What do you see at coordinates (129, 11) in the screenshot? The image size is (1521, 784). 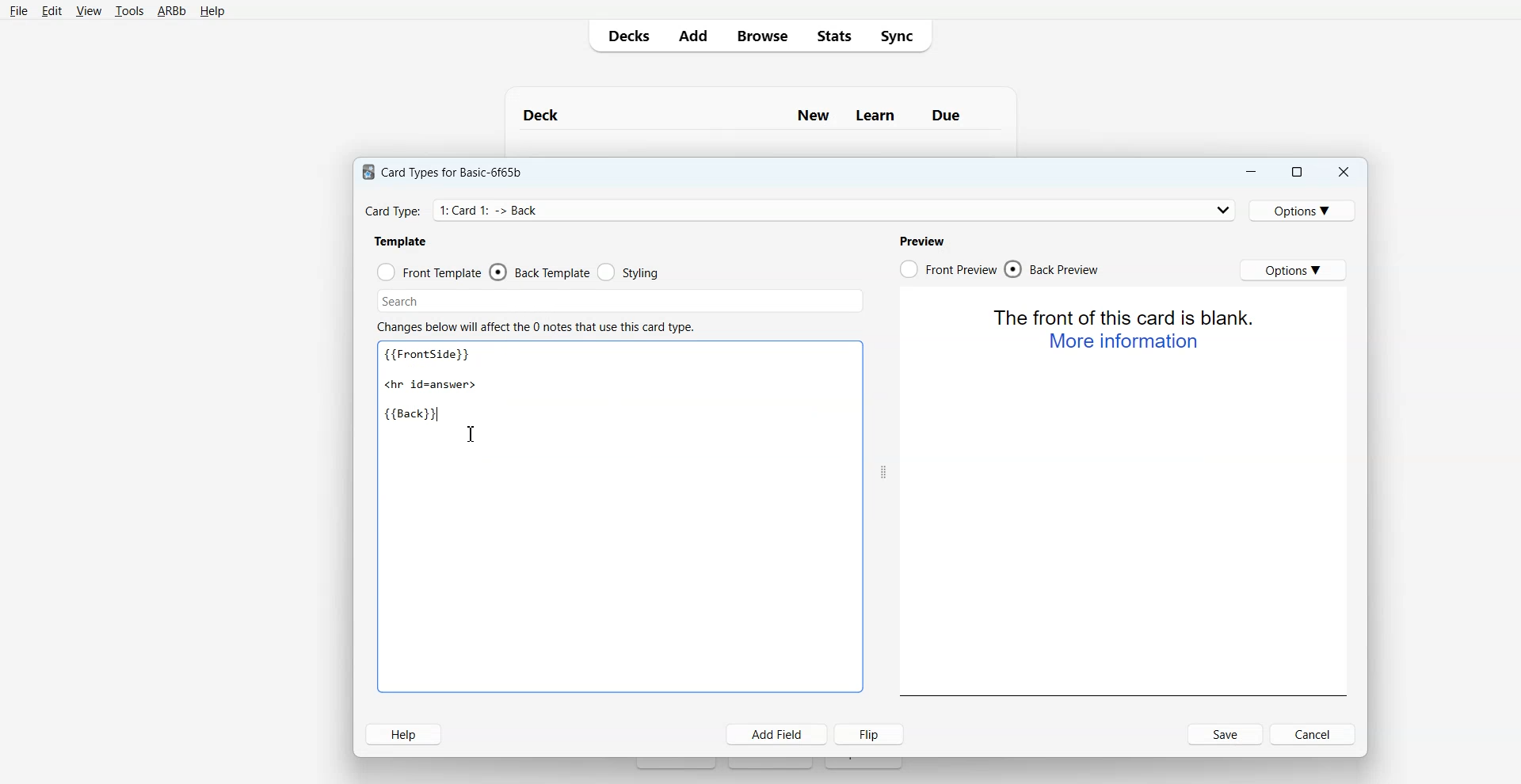 I see `Tools` at bounding box center [129, 11].